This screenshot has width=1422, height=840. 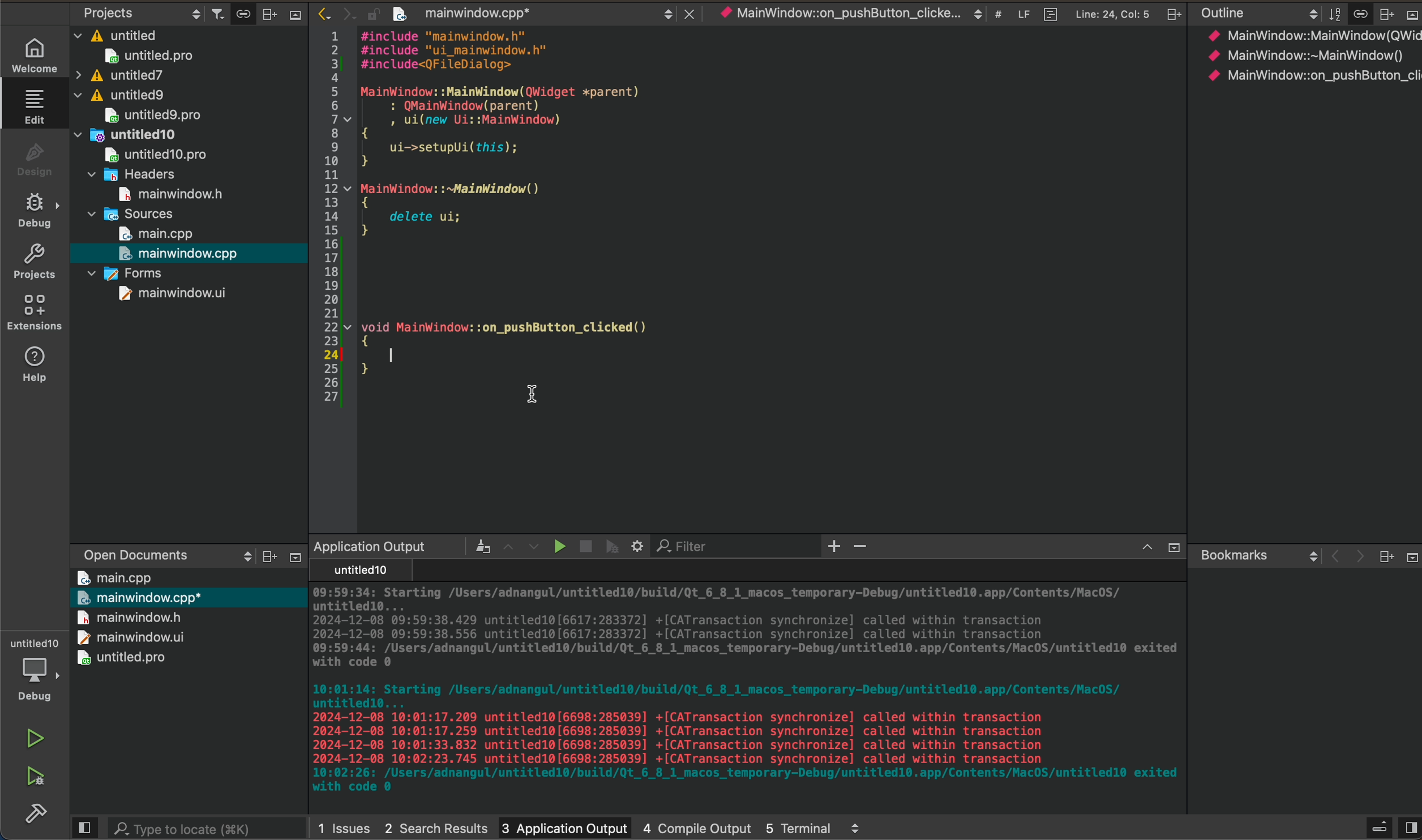 I want to click on untitled.pro, so click(x=148, y=55).